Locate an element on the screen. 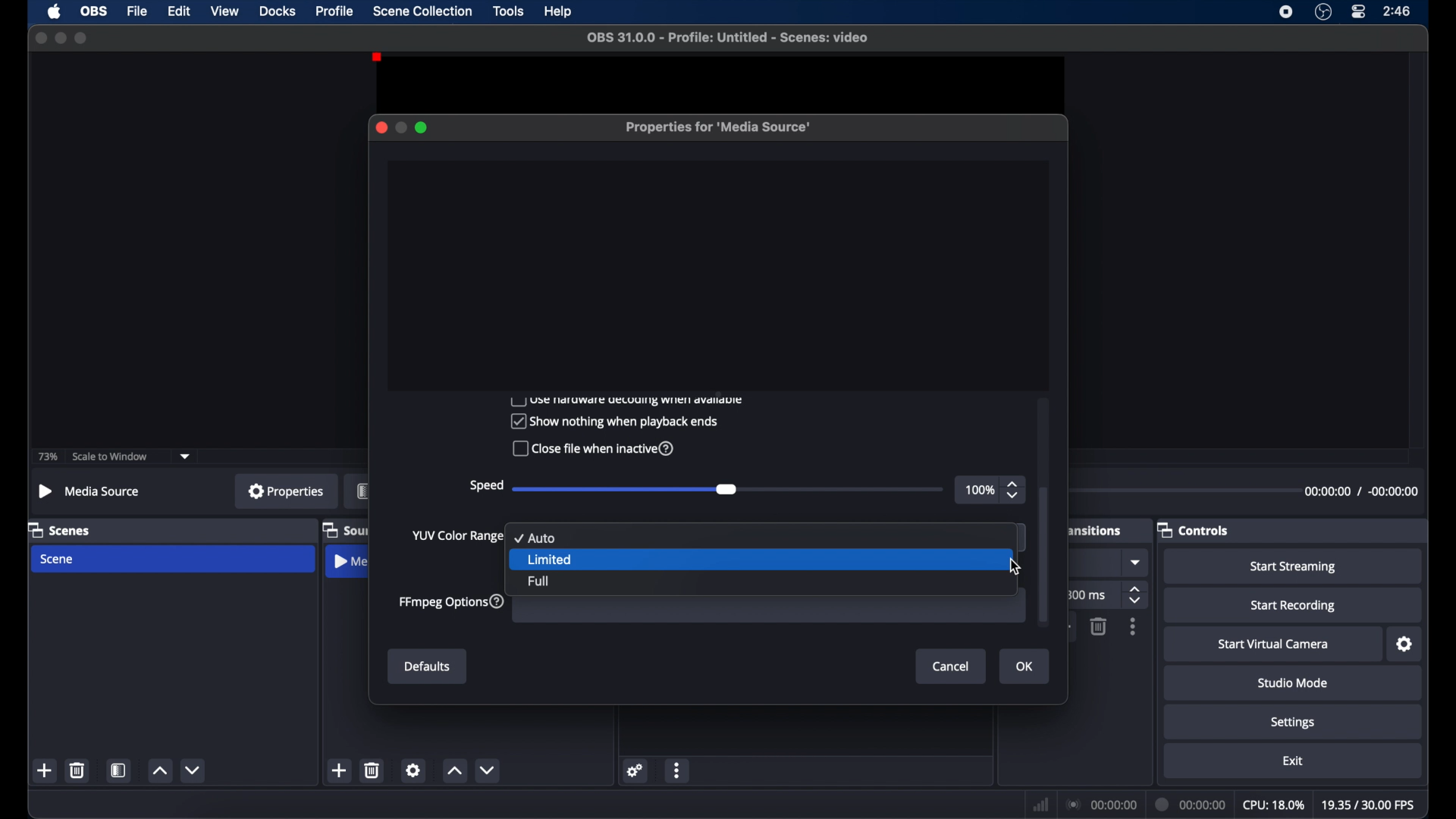  add is located at coordinates (340, 770).